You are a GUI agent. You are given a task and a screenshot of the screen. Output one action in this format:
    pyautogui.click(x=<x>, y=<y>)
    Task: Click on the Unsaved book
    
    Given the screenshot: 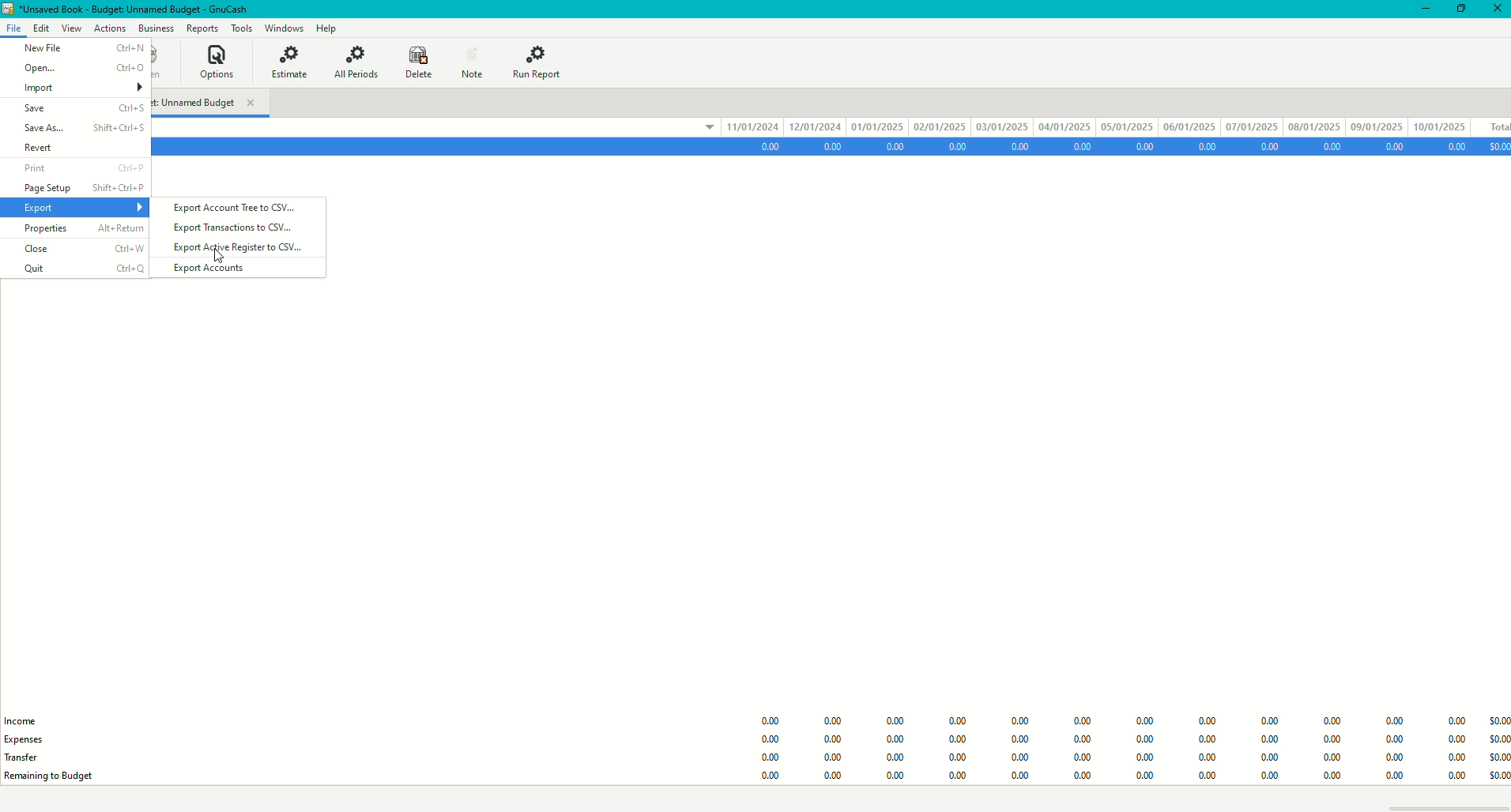 What is the action you would take?
    pyautogui.click(x=135, y=9)
    